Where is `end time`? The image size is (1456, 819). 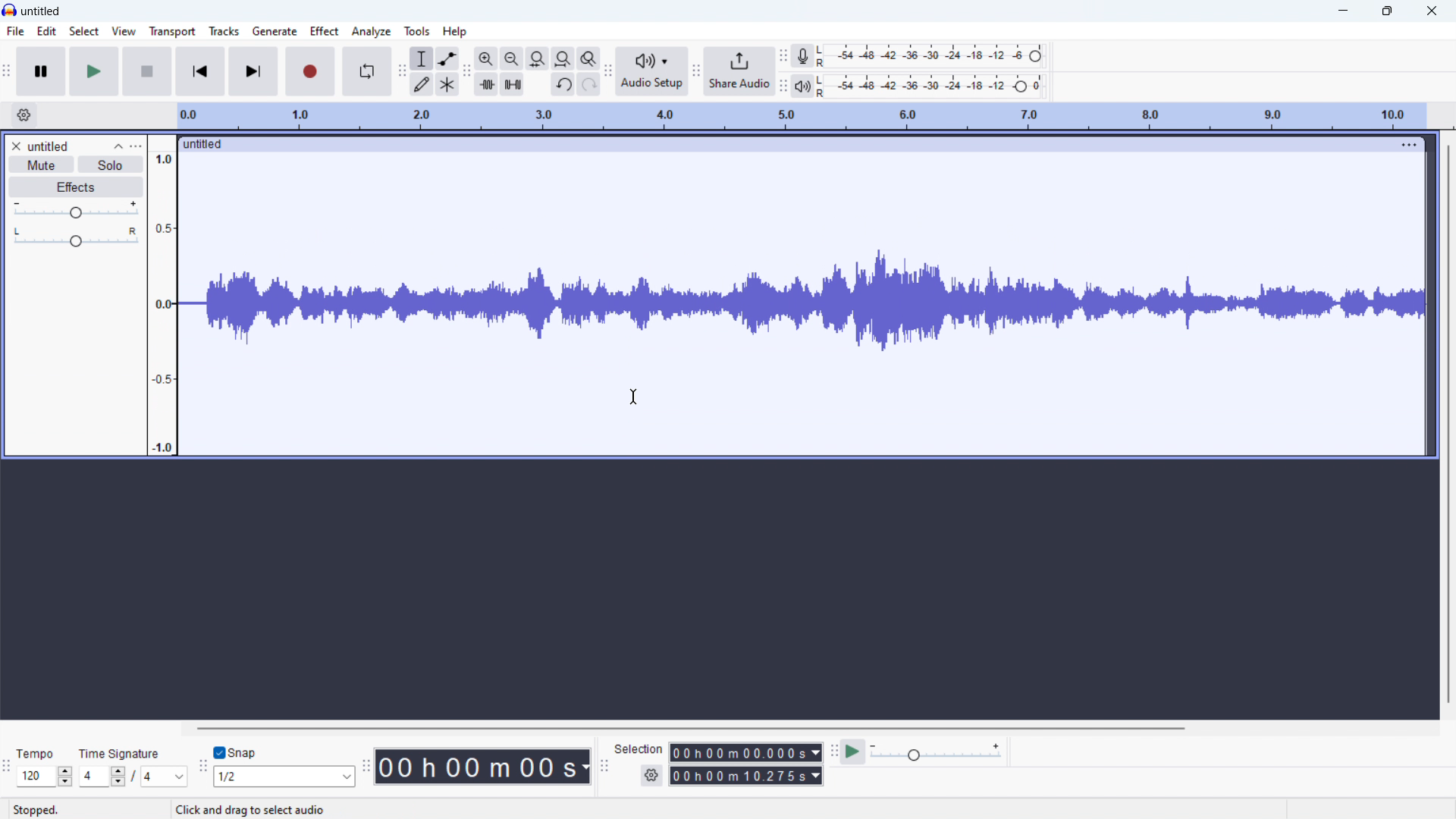
end time is located at coordinates (745, 777).